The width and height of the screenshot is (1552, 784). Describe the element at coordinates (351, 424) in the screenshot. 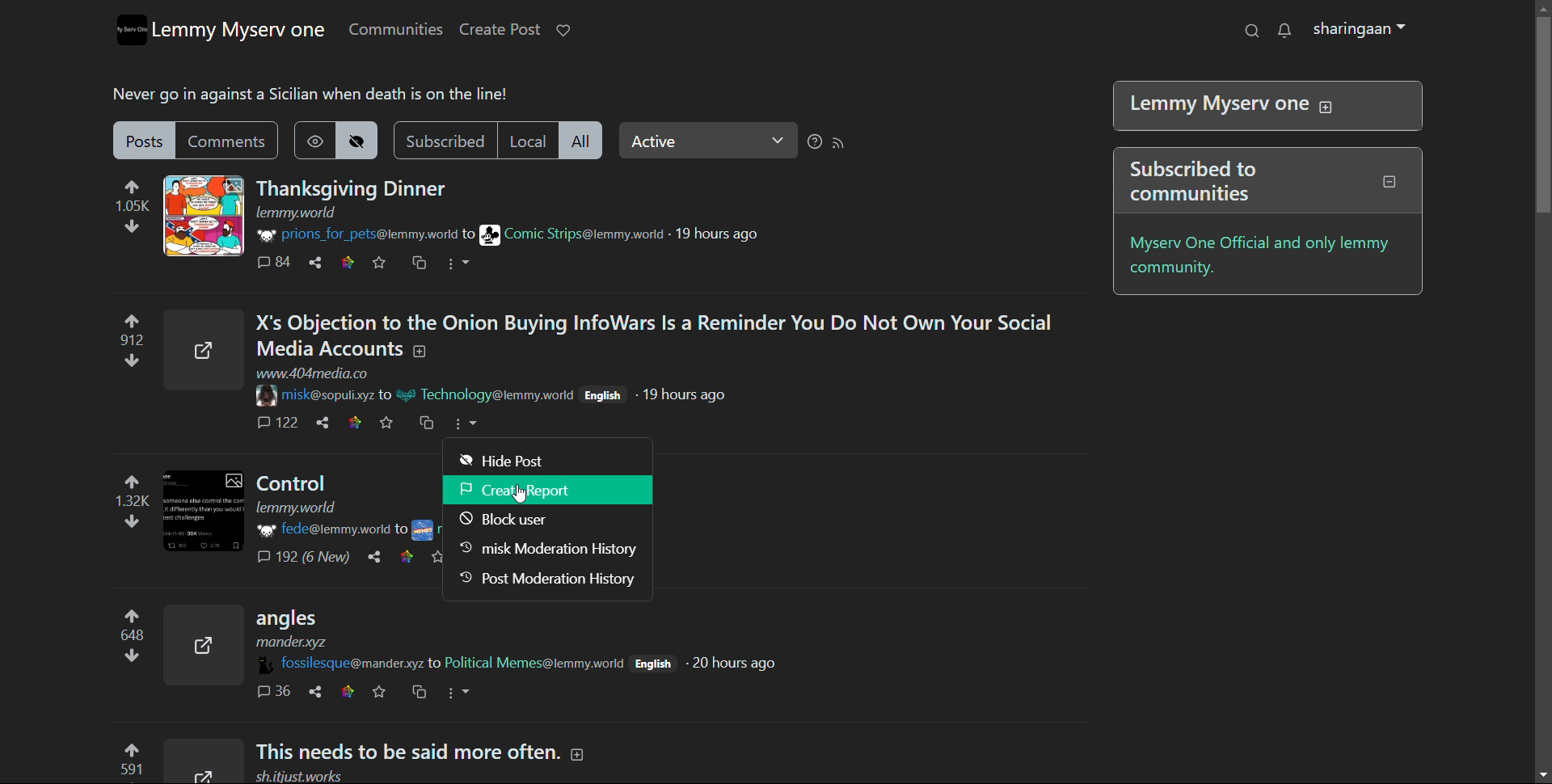

I see `link` at that location.